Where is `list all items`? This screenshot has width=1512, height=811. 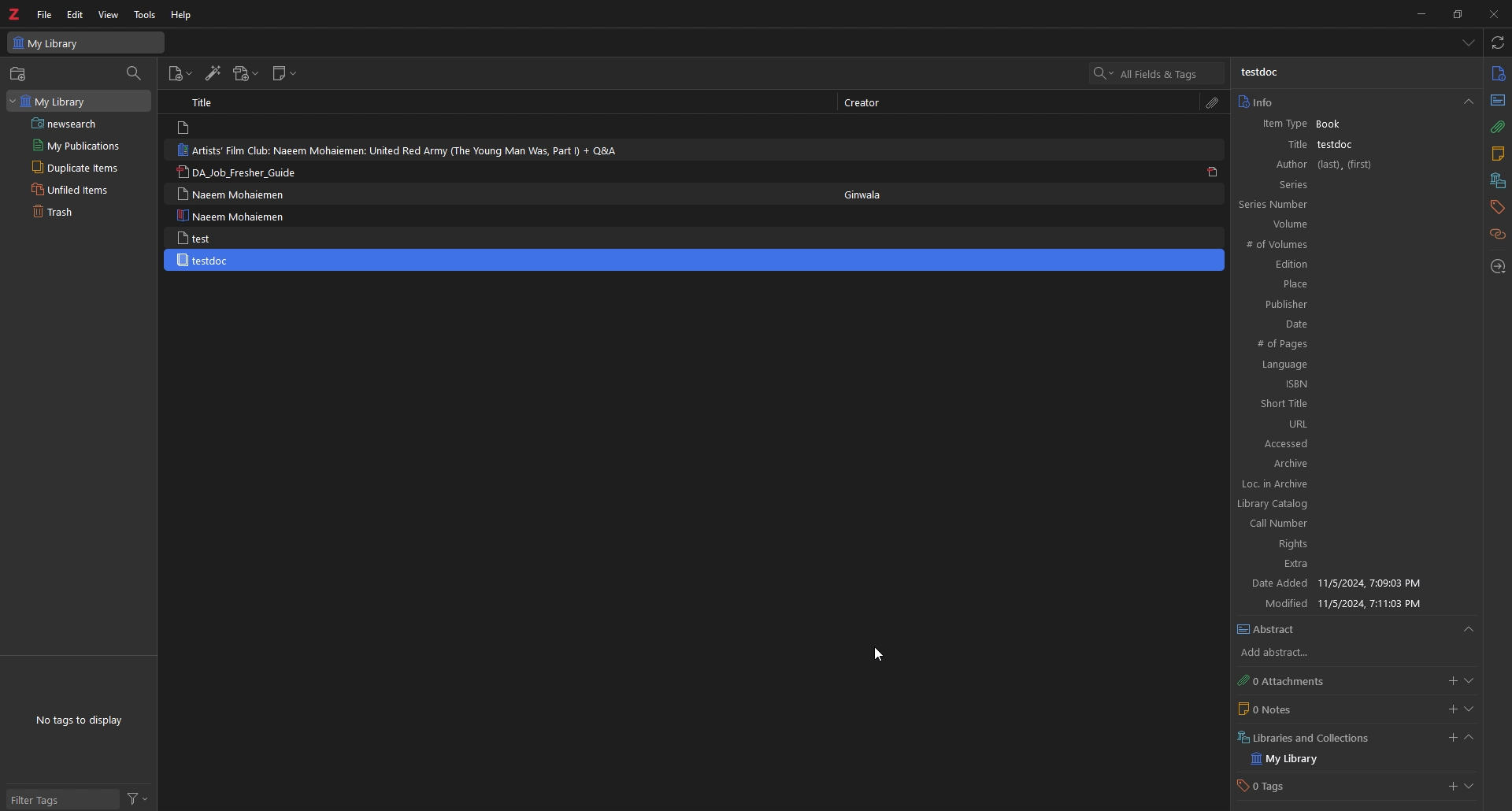 list all items is located at coordinates (1469, 43).